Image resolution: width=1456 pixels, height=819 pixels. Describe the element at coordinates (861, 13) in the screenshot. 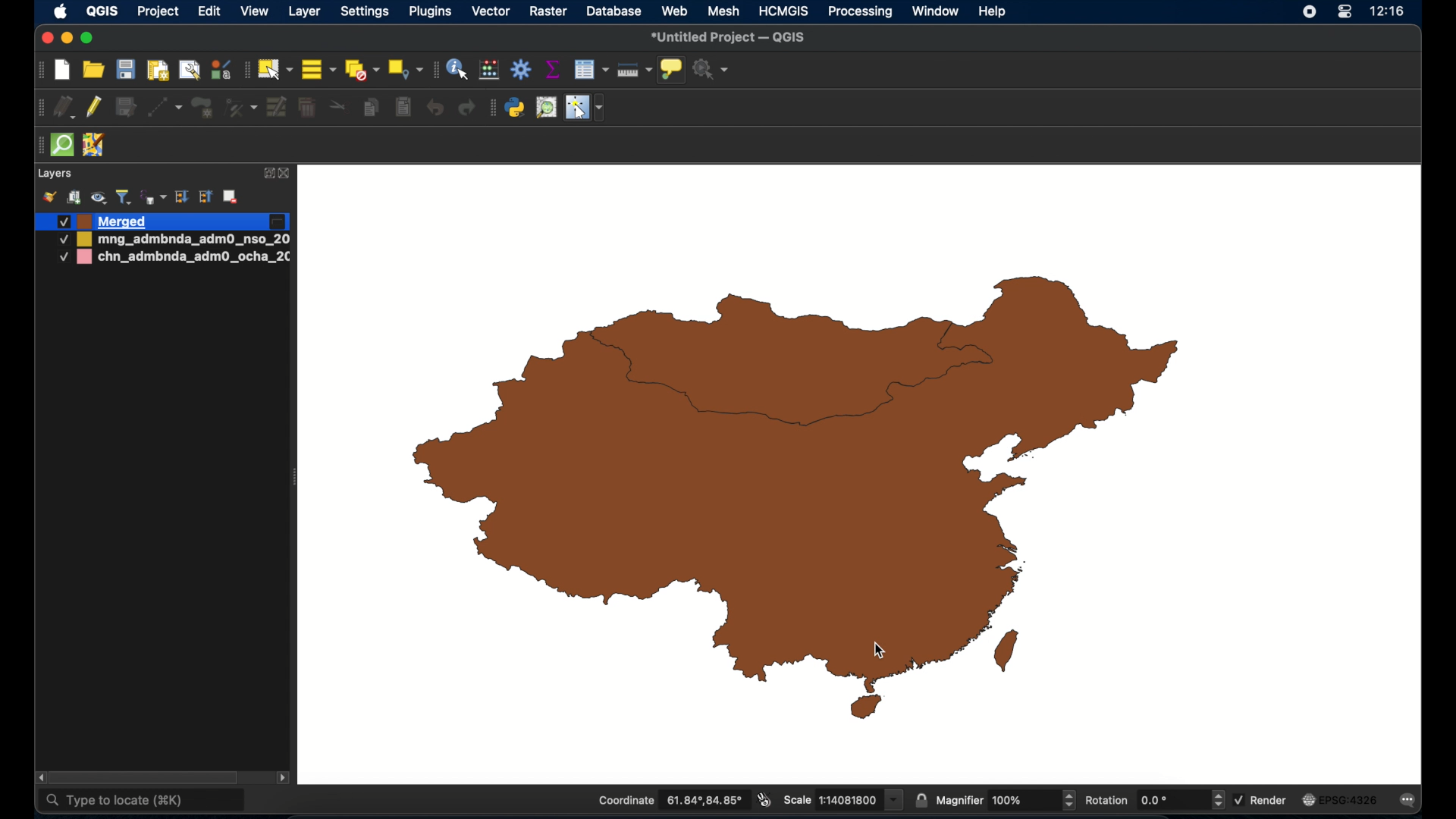

I see `processing` at that location.